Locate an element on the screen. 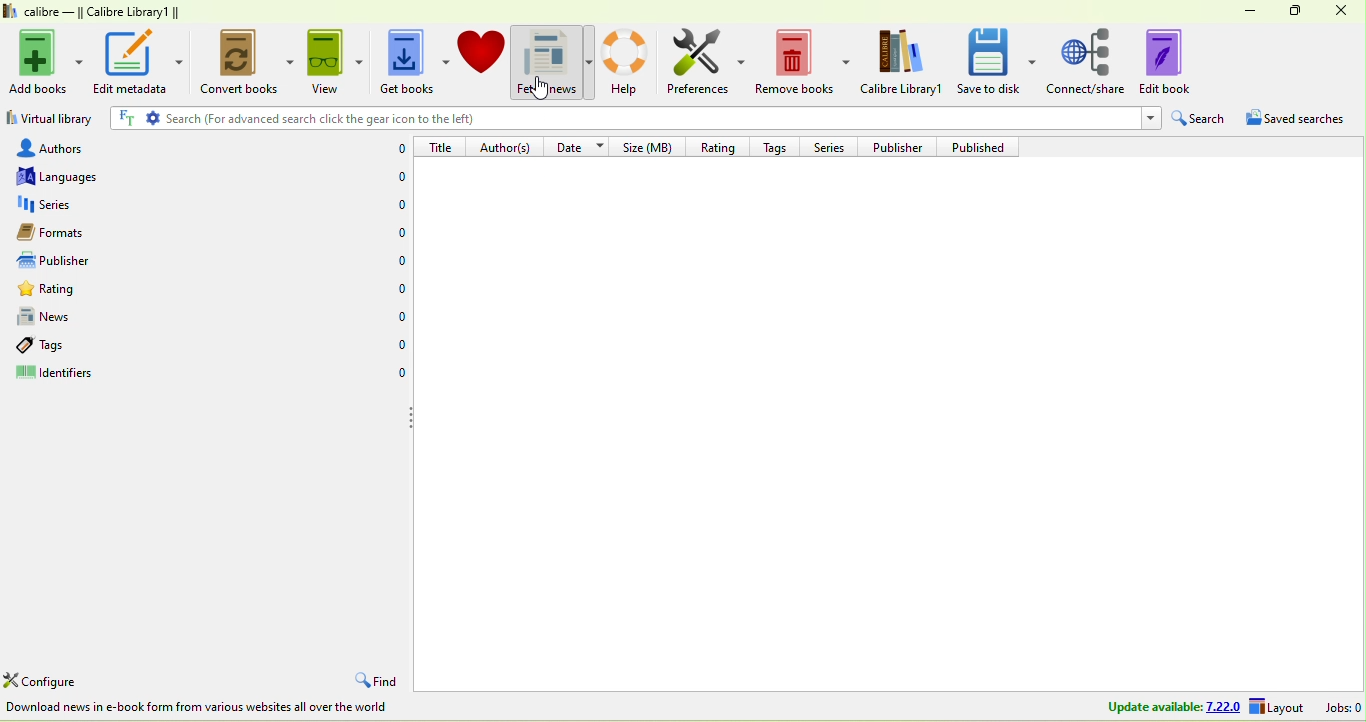 Image resolution: width=1366 pixels, height=722 pixels. rating is located at coordinates (151, 290).